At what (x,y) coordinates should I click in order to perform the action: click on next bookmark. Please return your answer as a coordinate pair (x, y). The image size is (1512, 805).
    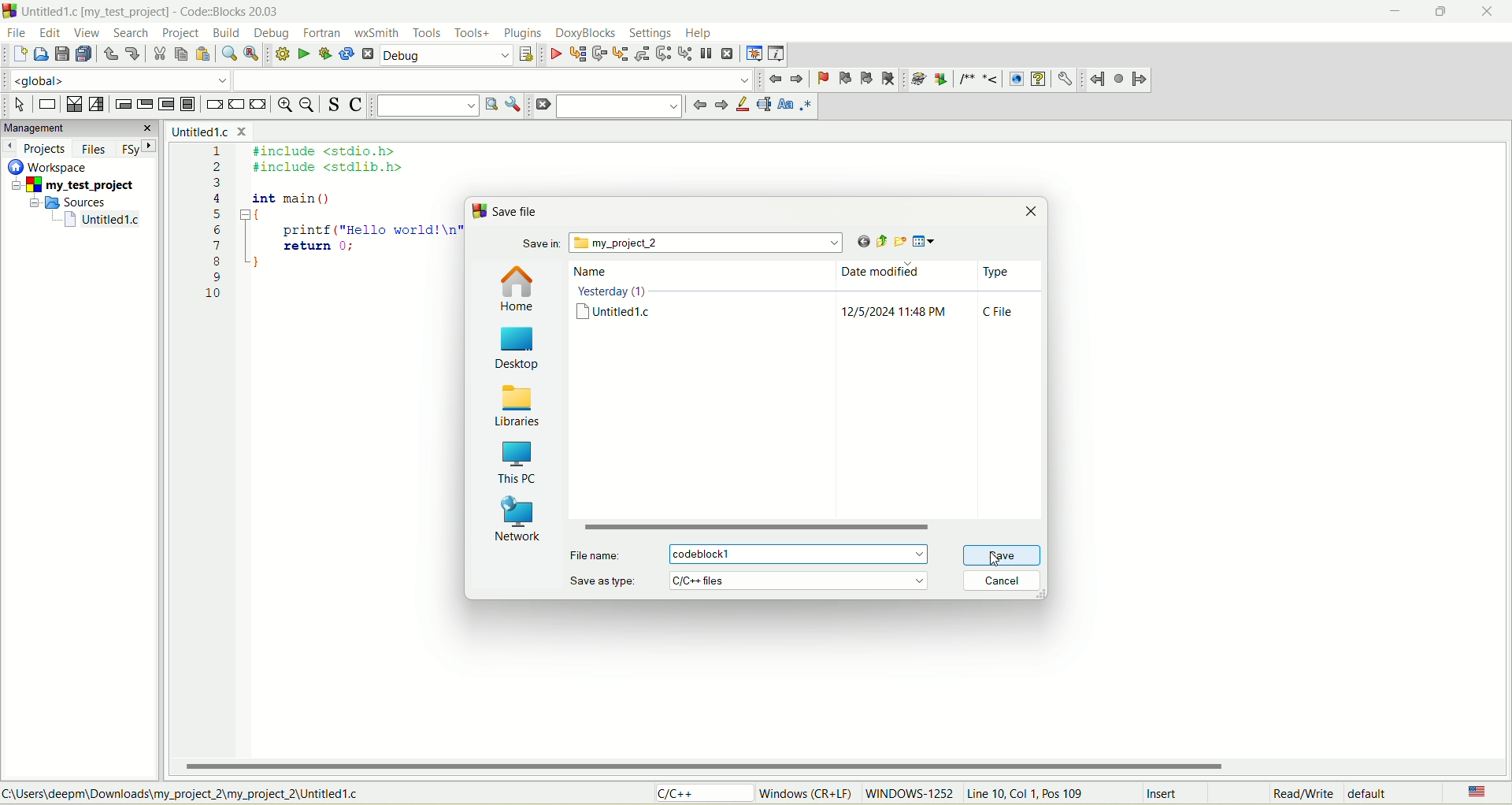
    Looking at the image, I should click on (867, 79).